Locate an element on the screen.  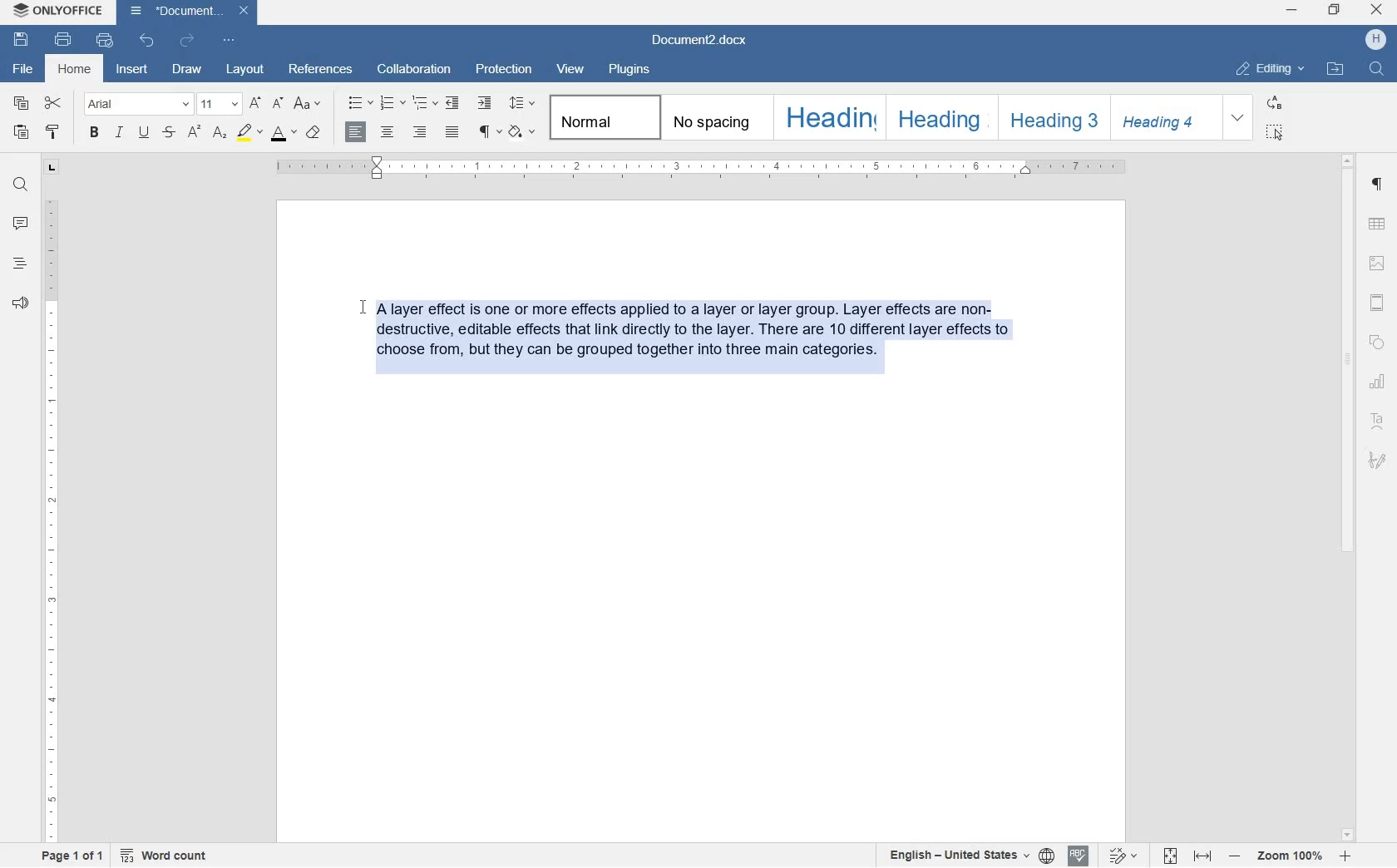
home is located at coordinates (76, 70).